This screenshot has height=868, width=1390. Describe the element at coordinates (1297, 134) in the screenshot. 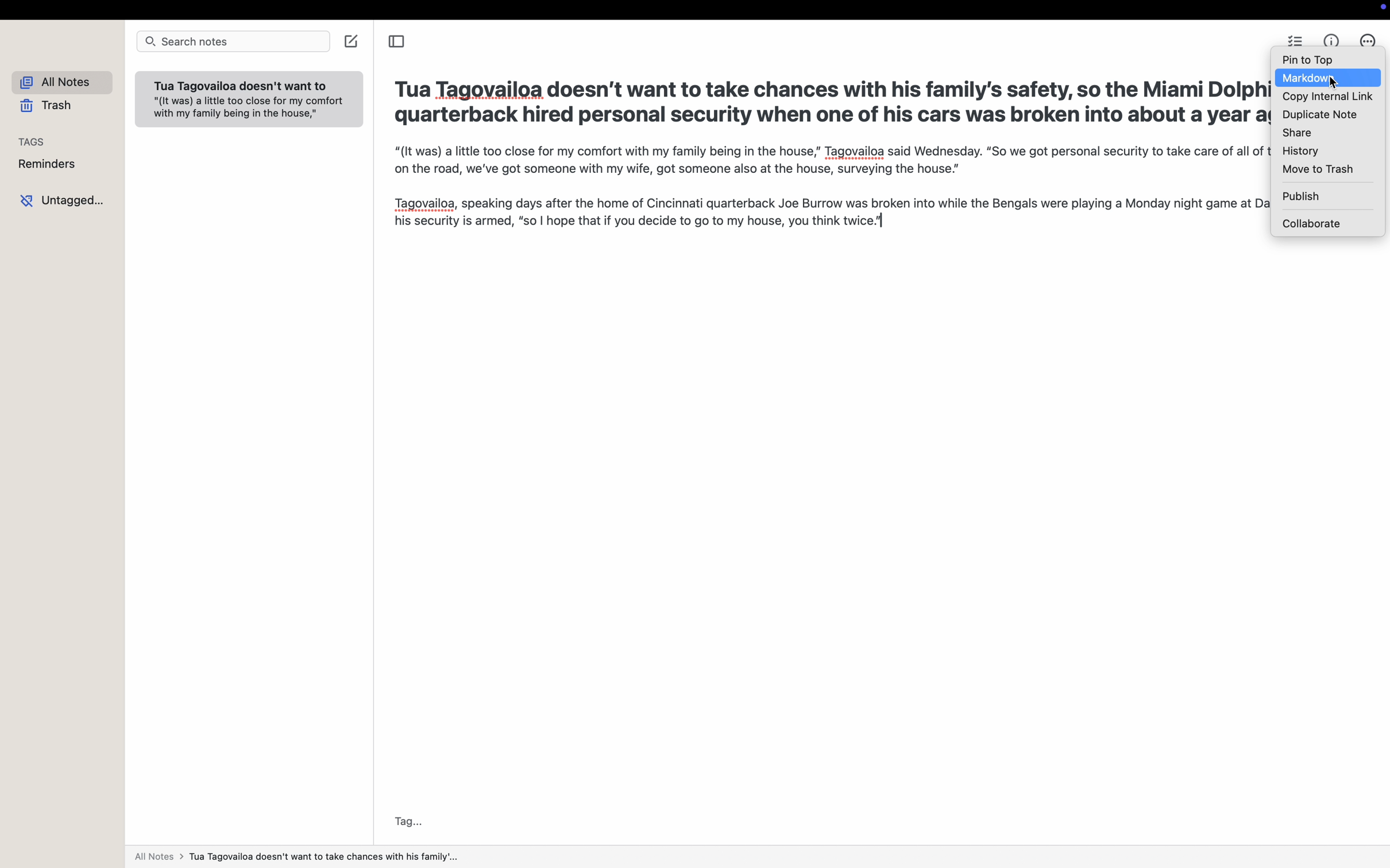

I see `share` at that location.